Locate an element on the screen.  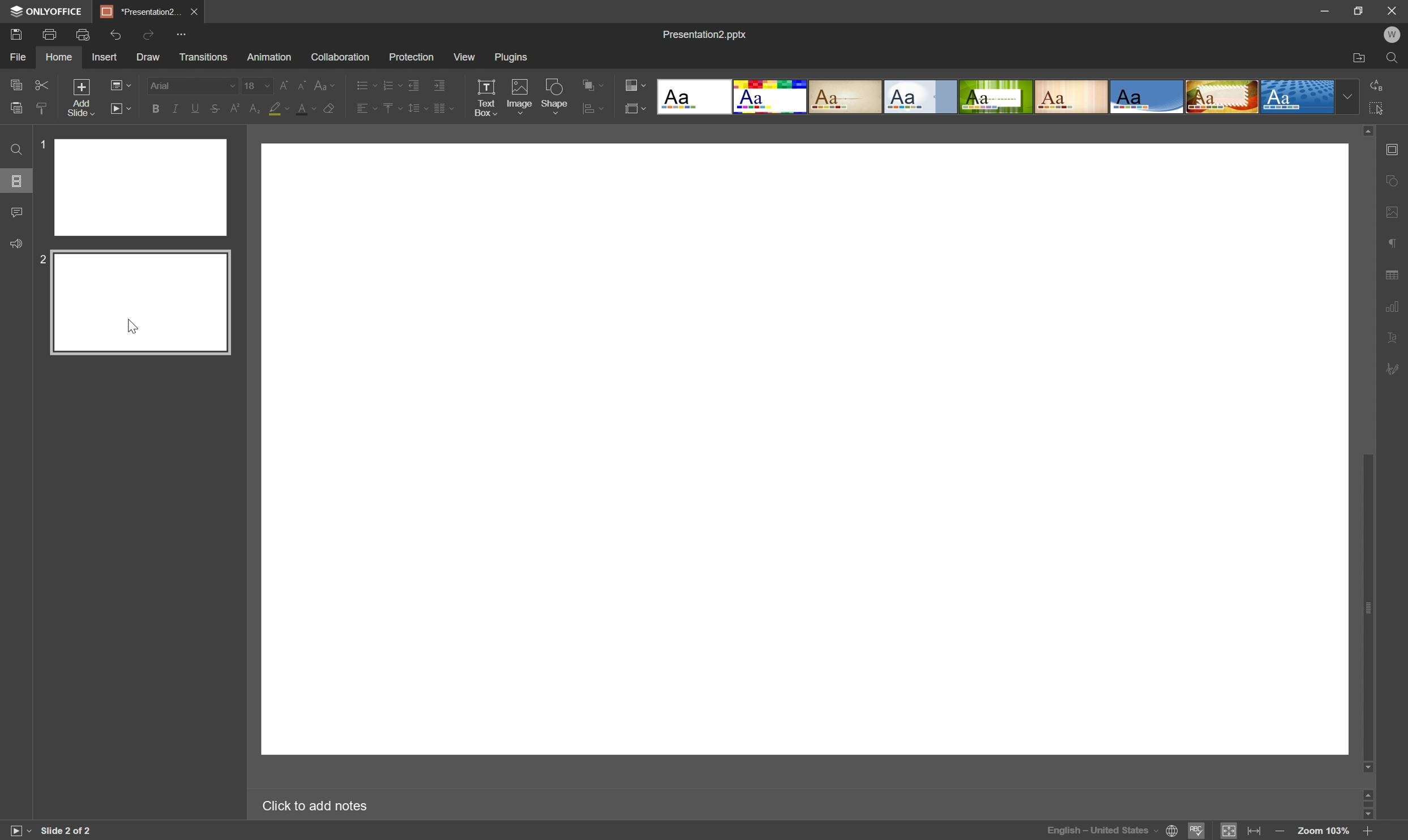
Underline is located at coordinates (193, 108).